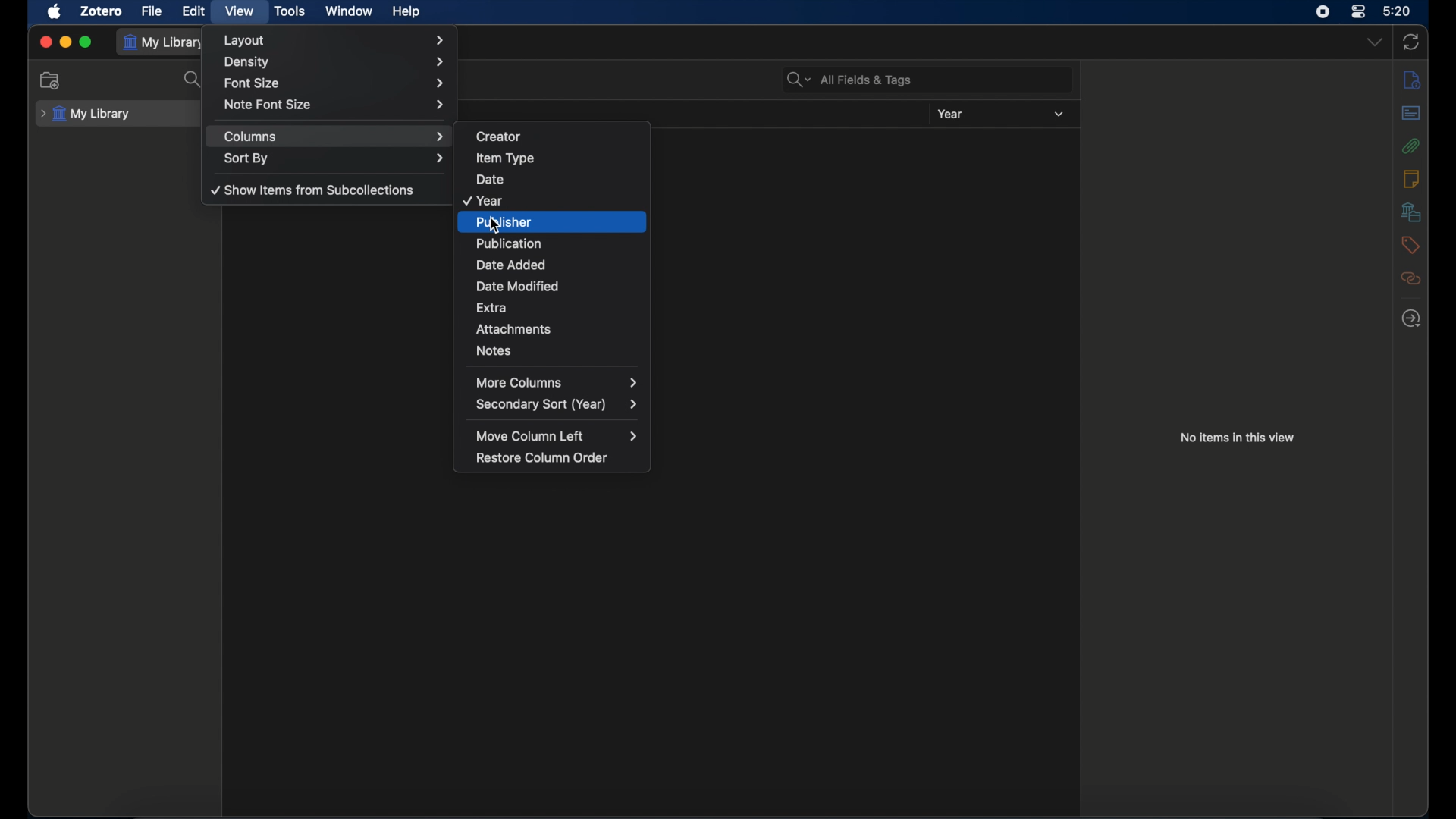 This screenshot has width=1456, height=819. What do you see at coordinates (65, 42) in the screenshot?
I see `minimize` at bounding box center [65, 42].